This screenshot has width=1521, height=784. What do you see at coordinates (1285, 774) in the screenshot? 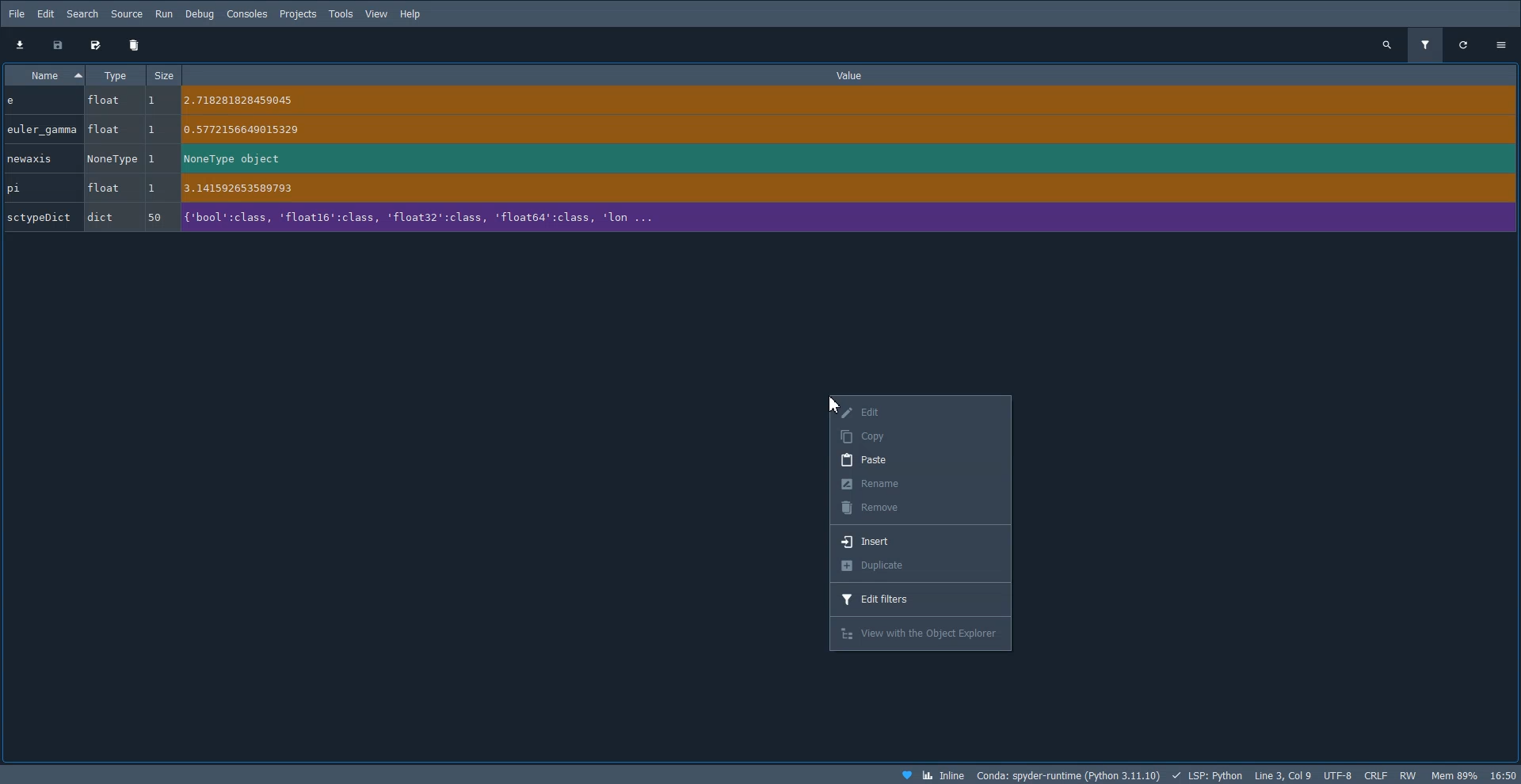
I see `Line3, col9` at bounding box center [1285, 774].